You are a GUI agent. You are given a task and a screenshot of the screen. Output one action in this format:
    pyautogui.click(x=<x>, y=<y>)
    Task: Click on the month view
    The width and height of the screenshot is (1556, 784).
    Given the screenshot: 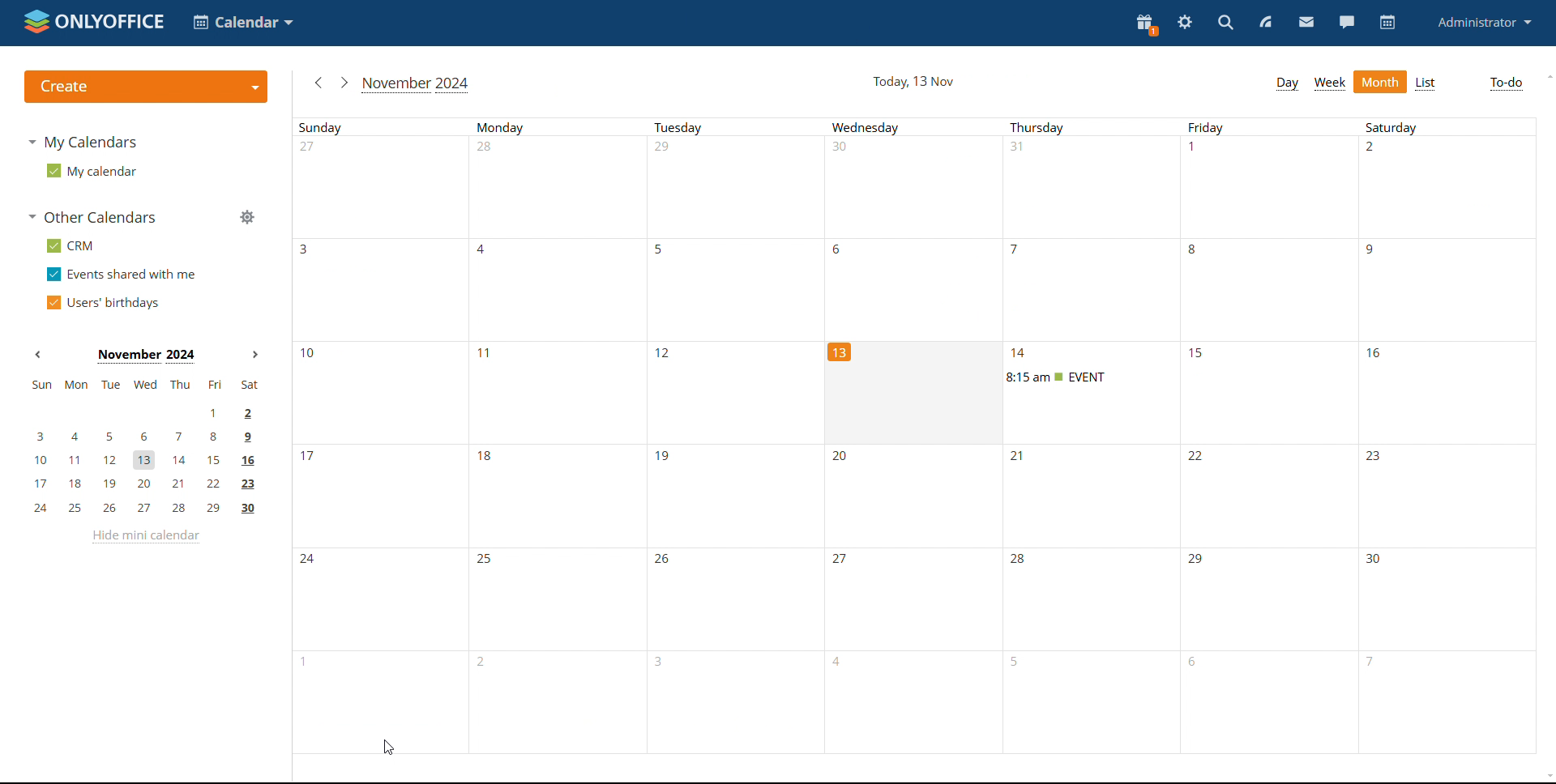 What is the action you would take?
    pyautogui.click(x=1381, y=82)
    